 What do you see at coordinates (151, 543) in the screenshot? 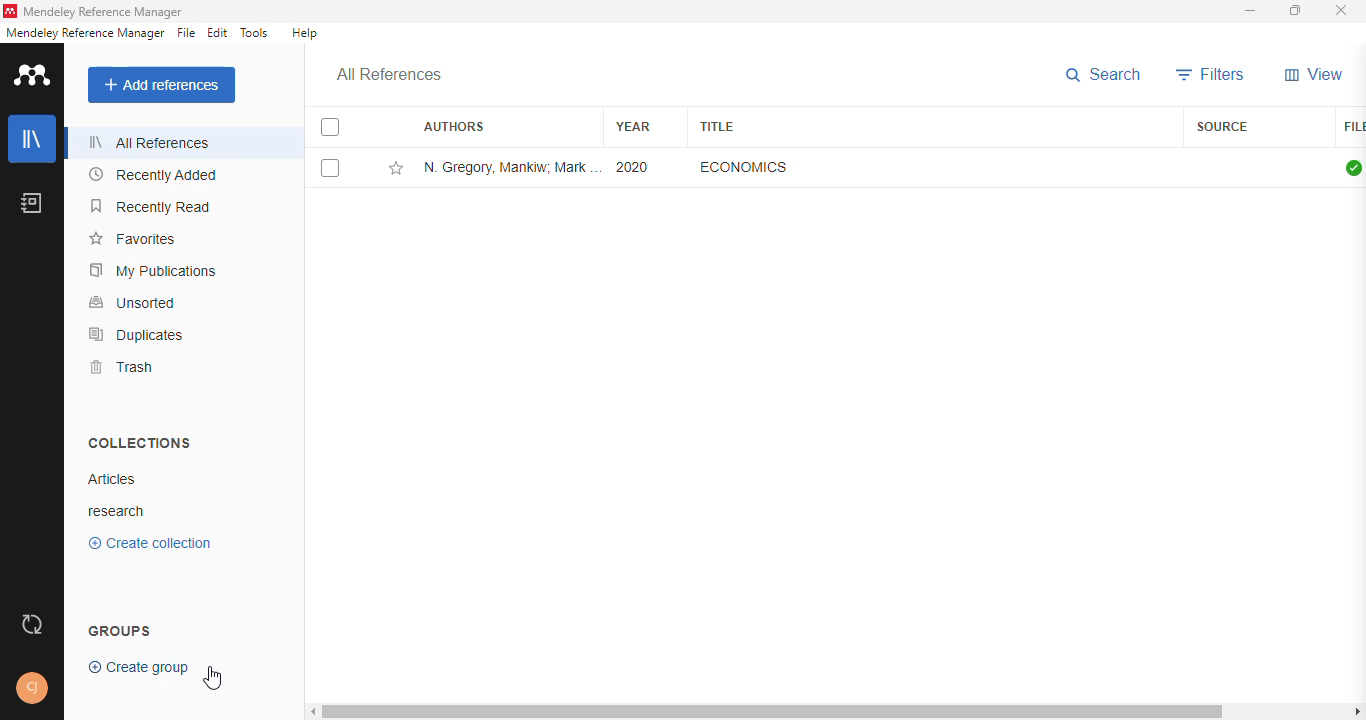
I see `create collection` at bounding box center [151, 543].